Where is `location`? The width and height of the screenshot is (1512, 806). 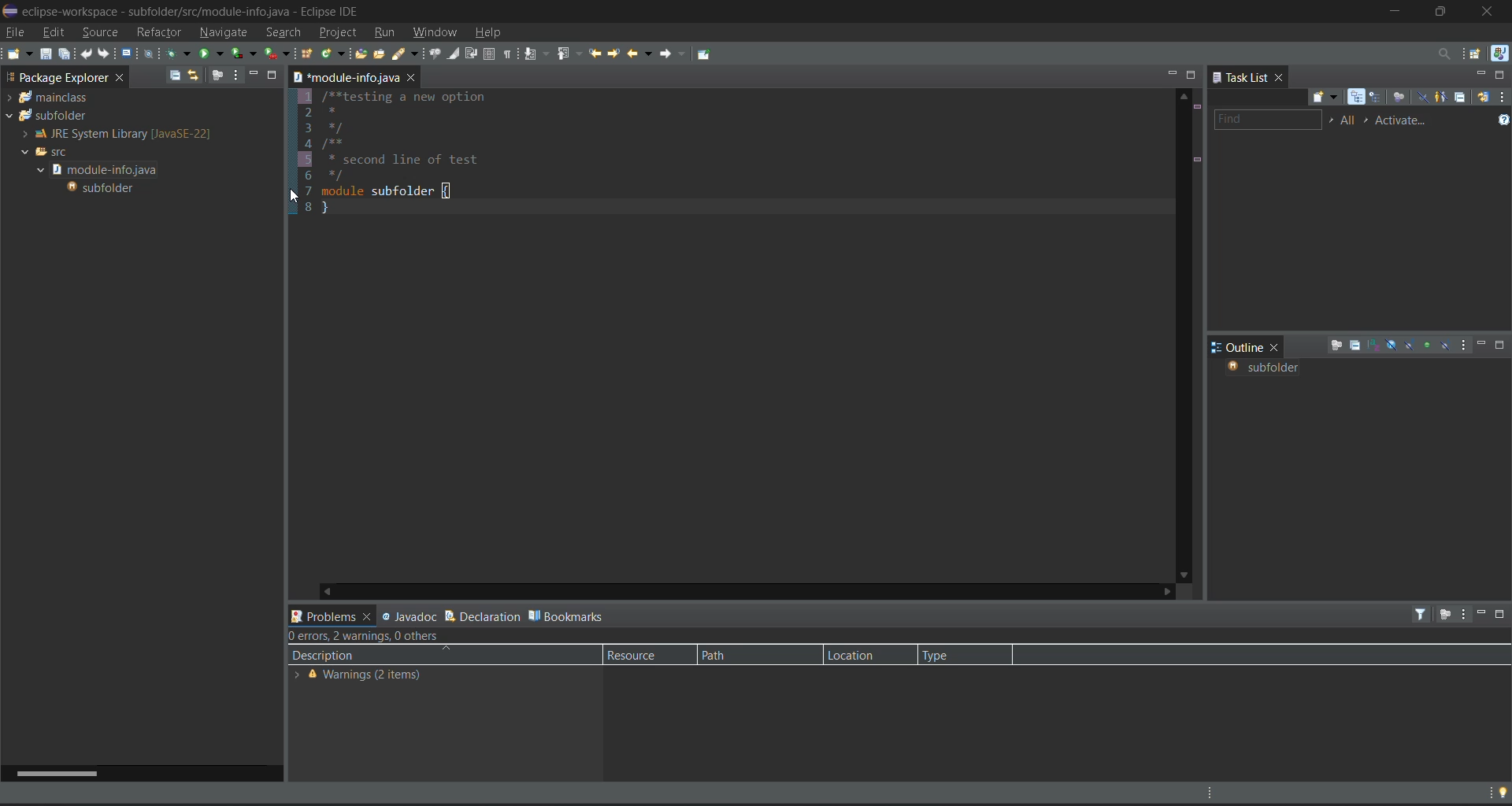
location is located at coordinates (858, 655).